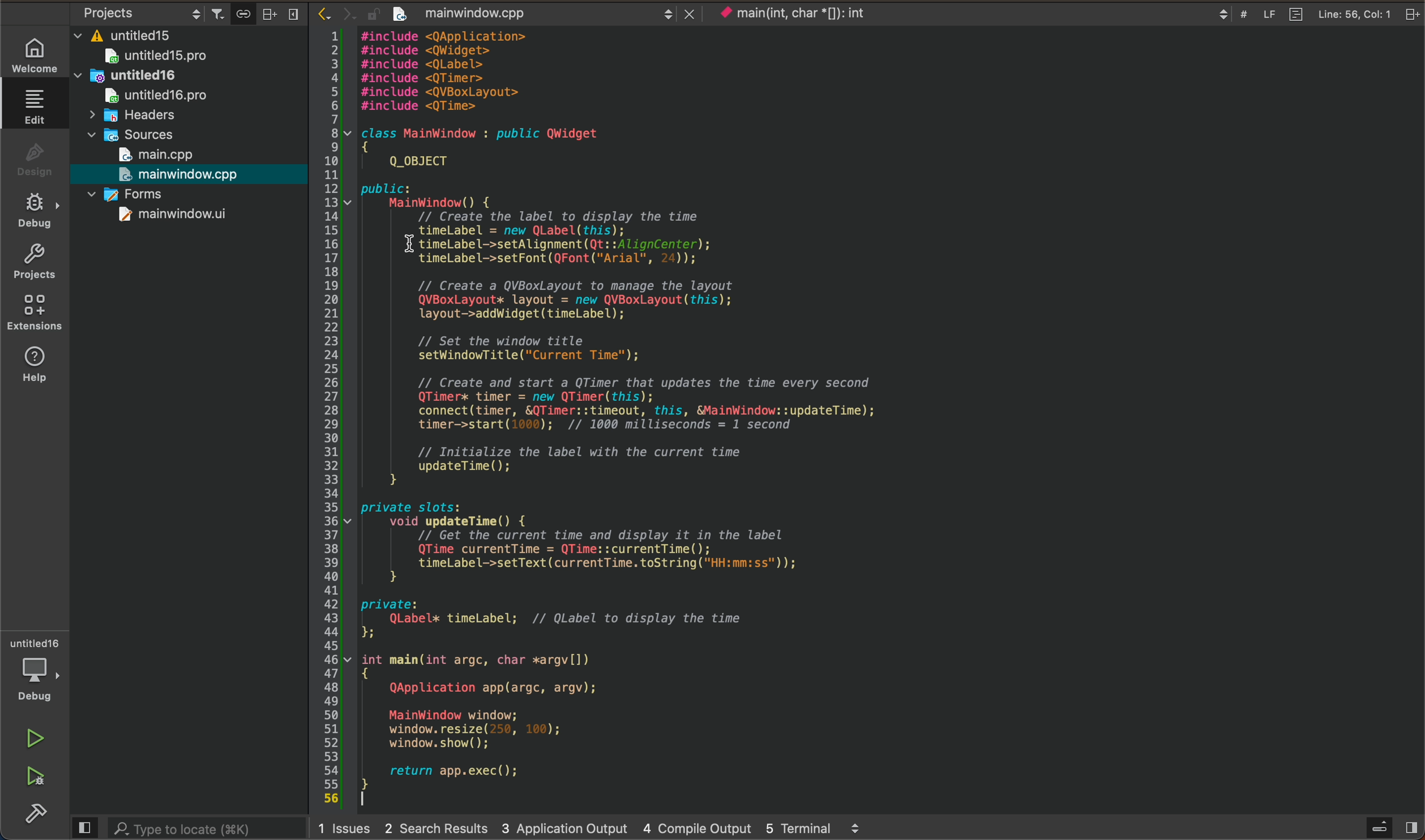 The width and height of the screenshot is (1425, 840). Describe the element at coordinates (1382, 827) in the screenshot. I see `open sidebar` at that location.